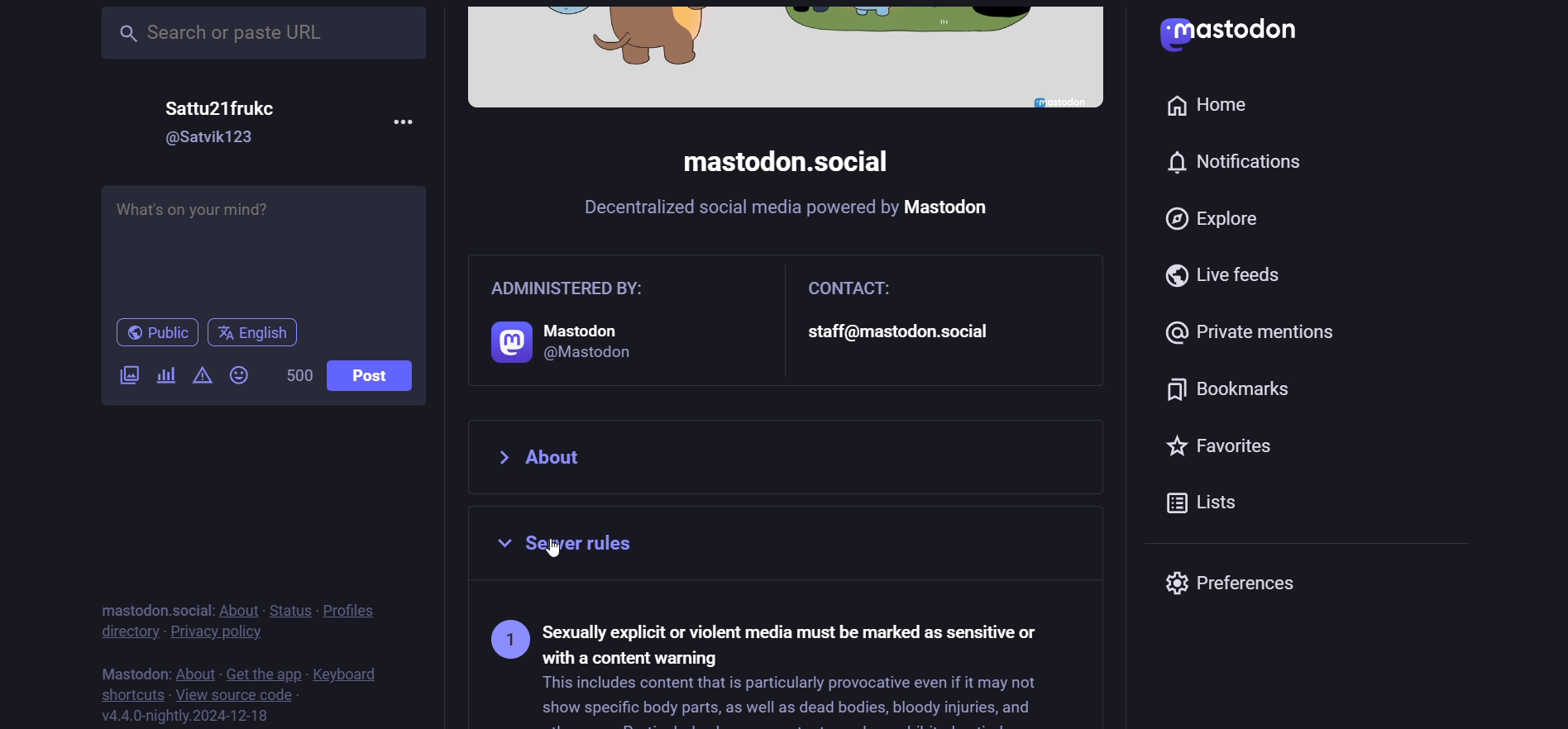  What do you see at coordinates (1208, 101) in the screenshot?
I see `home` at bounding box center [1208, 101].